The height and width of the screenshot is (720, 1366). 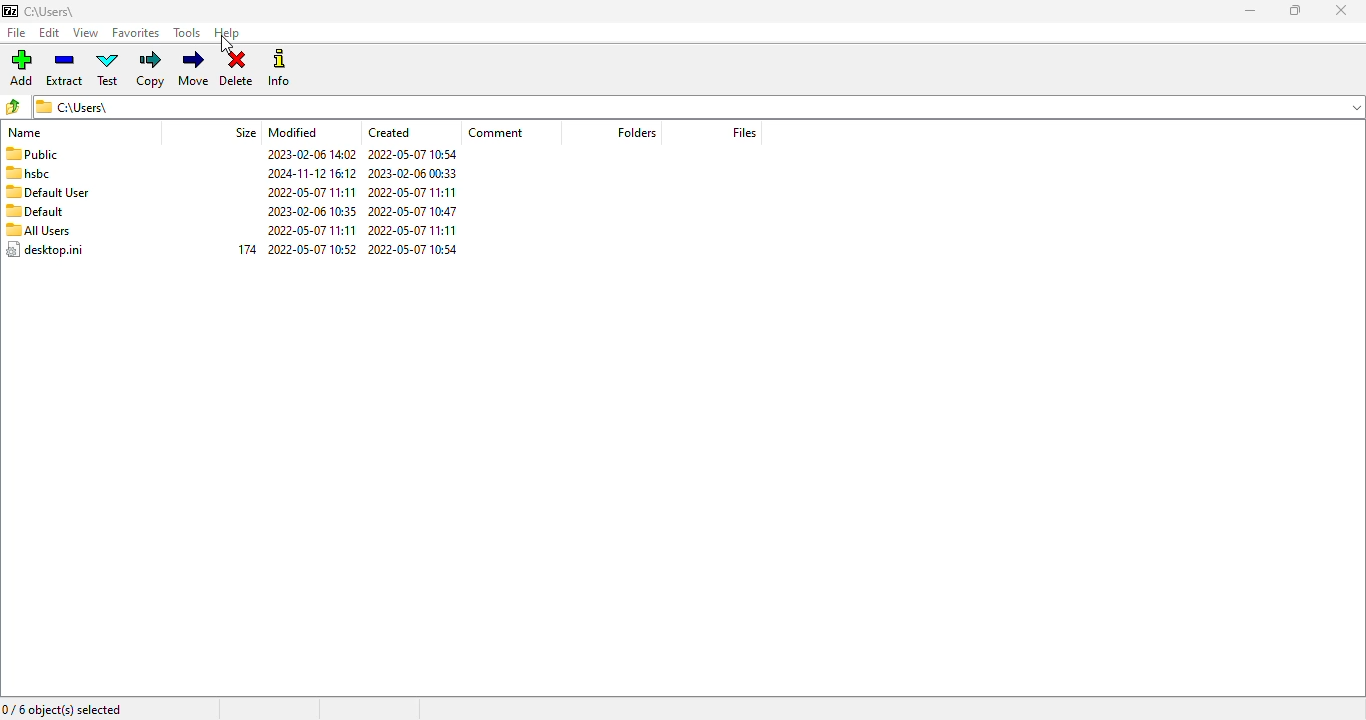 I want to click on delete, so click(x=237, y=69).